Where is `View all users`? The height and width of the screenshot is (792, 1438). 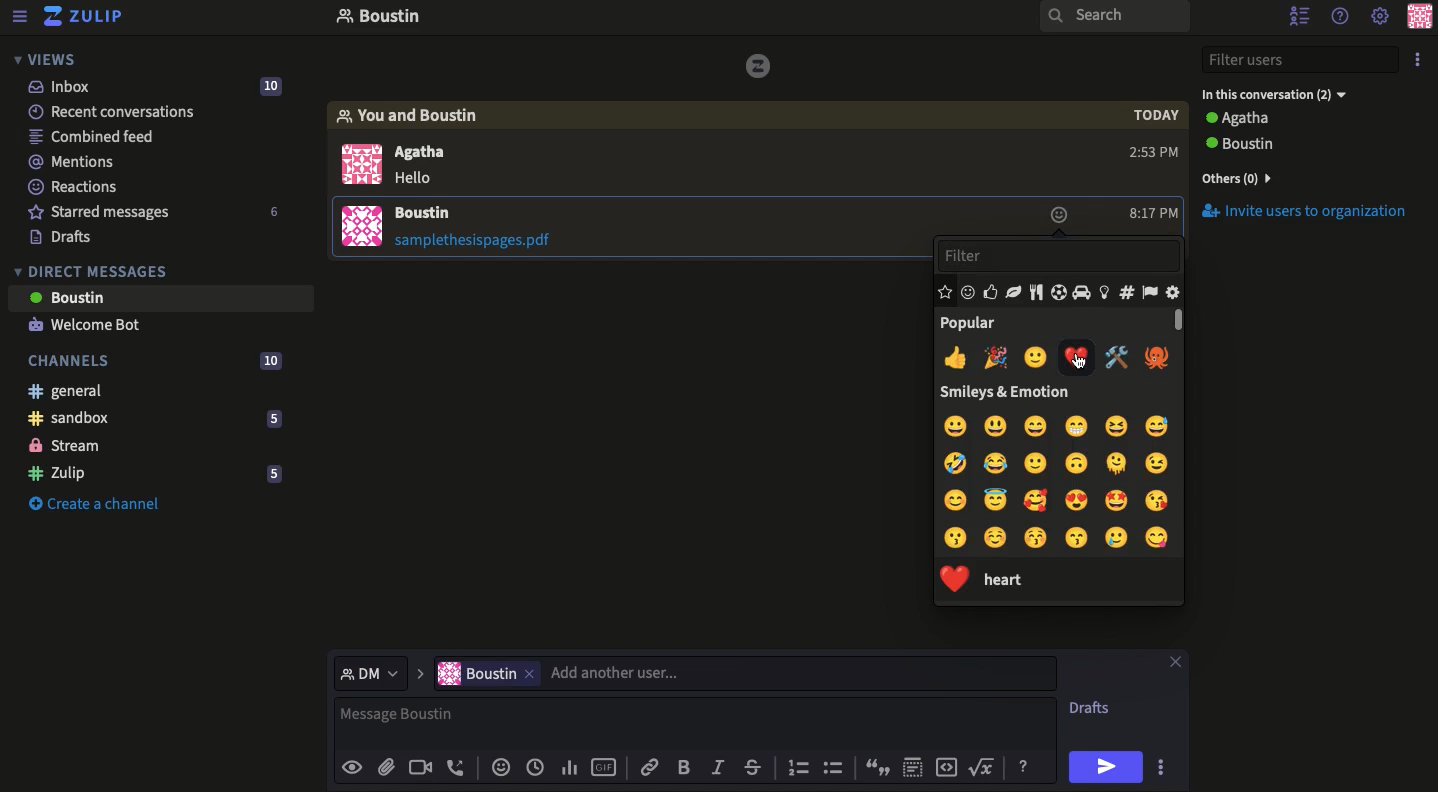 View all users is located at coordinates (1258, 181).